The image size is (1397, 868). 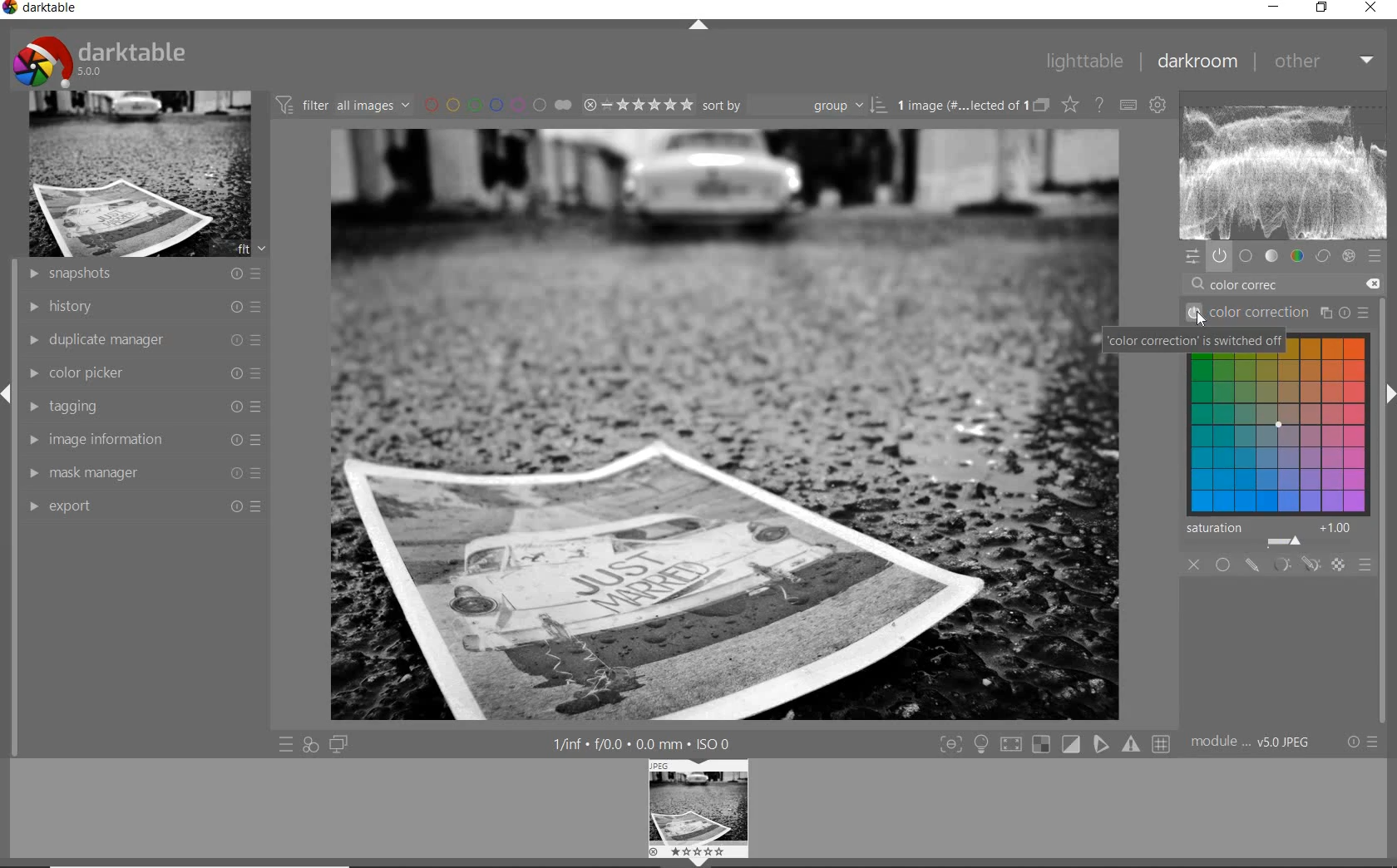 I want to click on quick access for applying any of style, so click(x=310, y=744).